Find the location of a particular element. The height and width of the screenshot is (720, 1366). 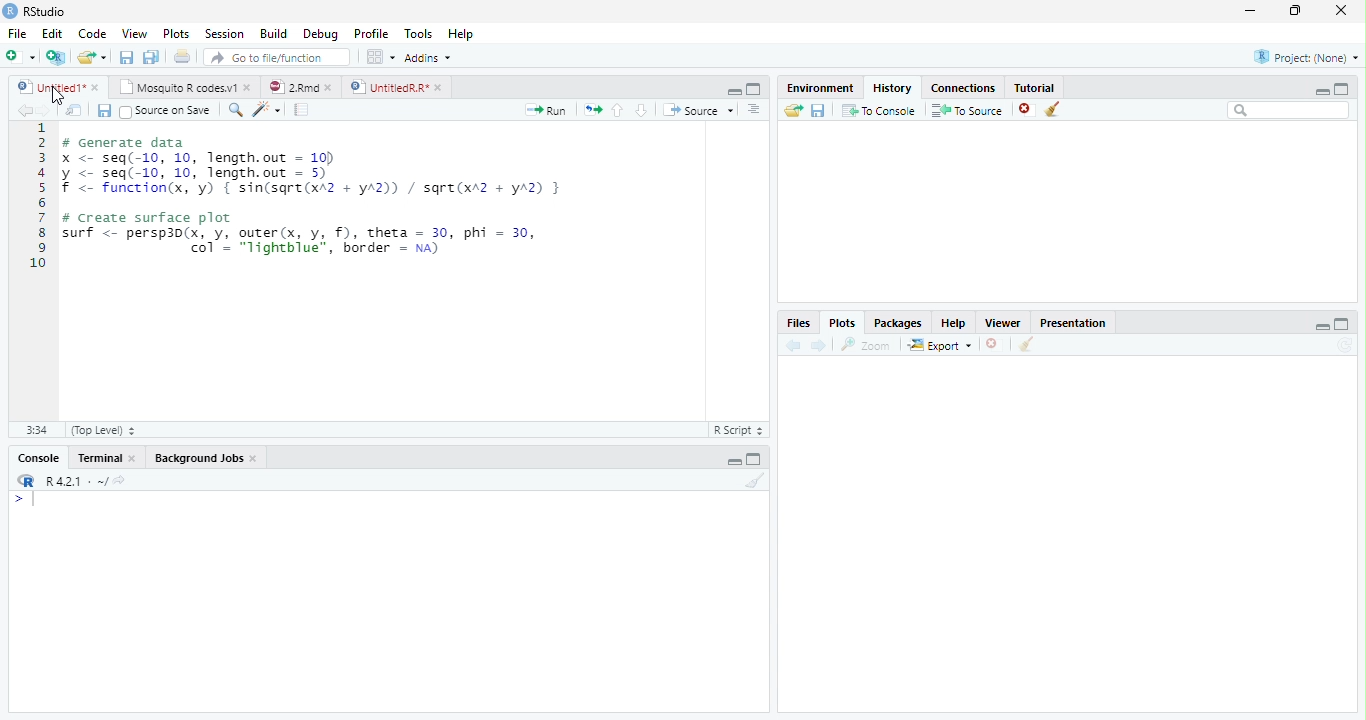

R Script is located at coordinates (741, 430).